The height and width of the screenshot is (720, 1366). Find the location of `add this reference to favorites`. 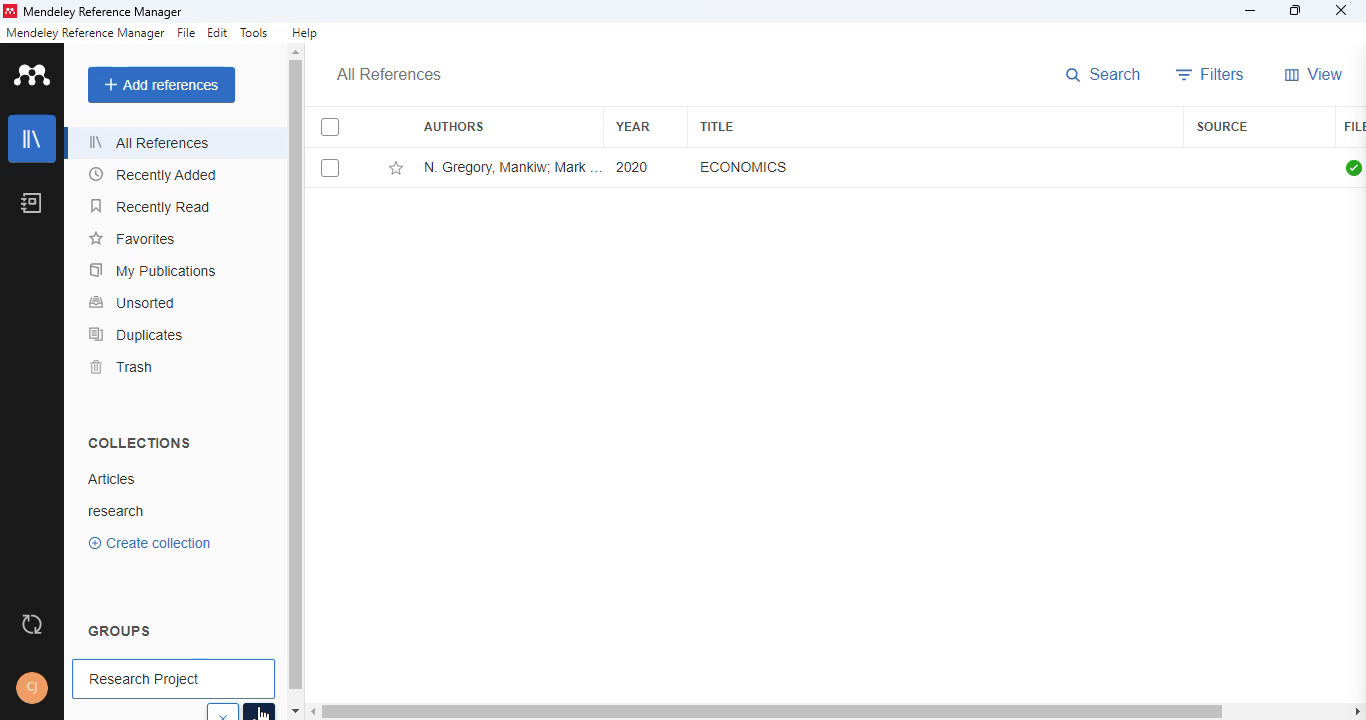

add this reference to favorites is located at coordinates (397, 169).